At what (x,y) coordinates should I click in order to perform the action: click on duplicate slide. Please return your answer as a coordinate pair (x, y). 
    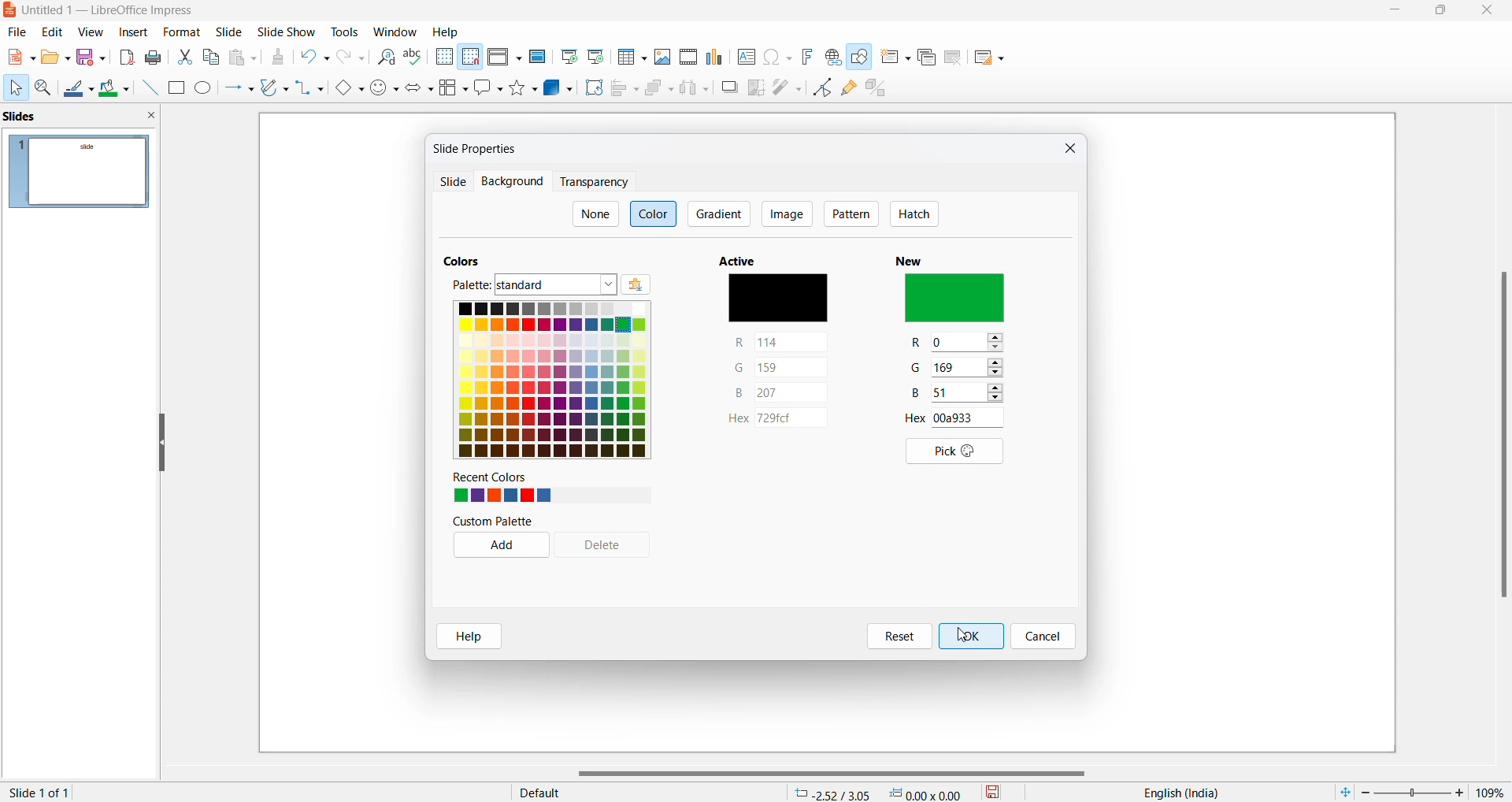
    Looking at the image, I should click on (925, 58).